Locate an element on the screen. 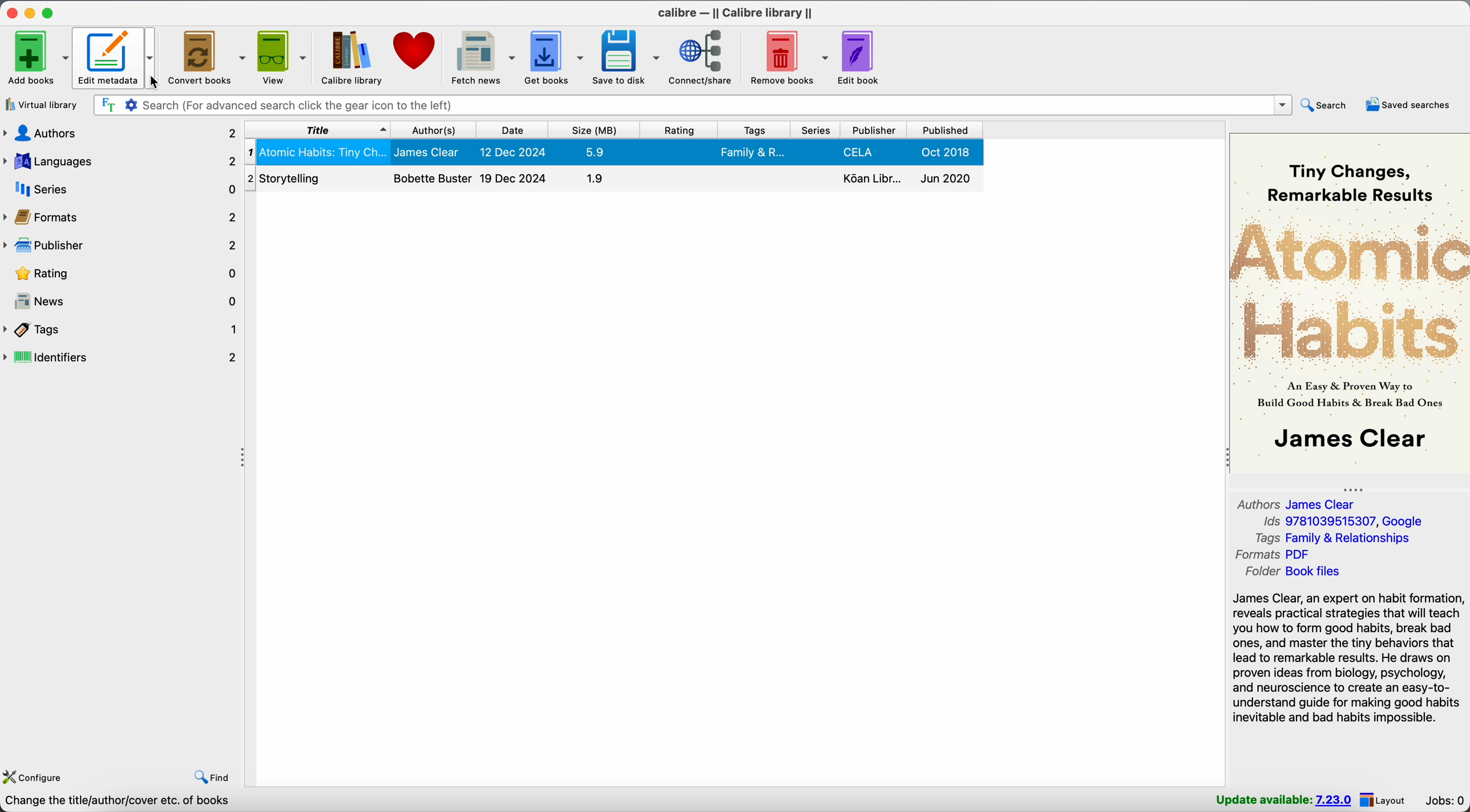 The width and height of the screenshot is (1470, 812). series is located at coordinates (814, 130).